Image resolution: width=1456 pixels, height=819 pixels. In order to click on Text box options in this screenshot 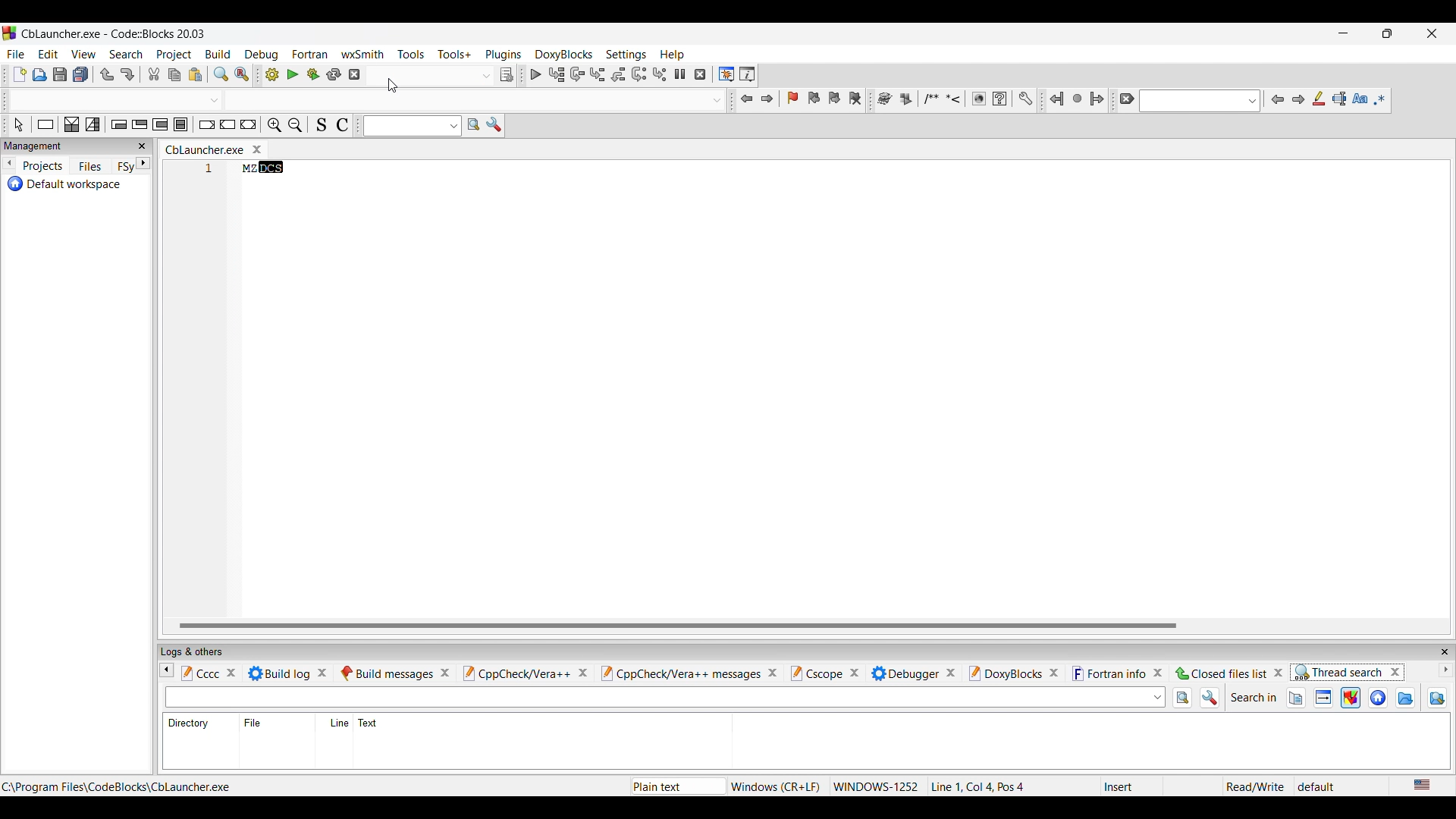, I will do `click(1158, 697)`.